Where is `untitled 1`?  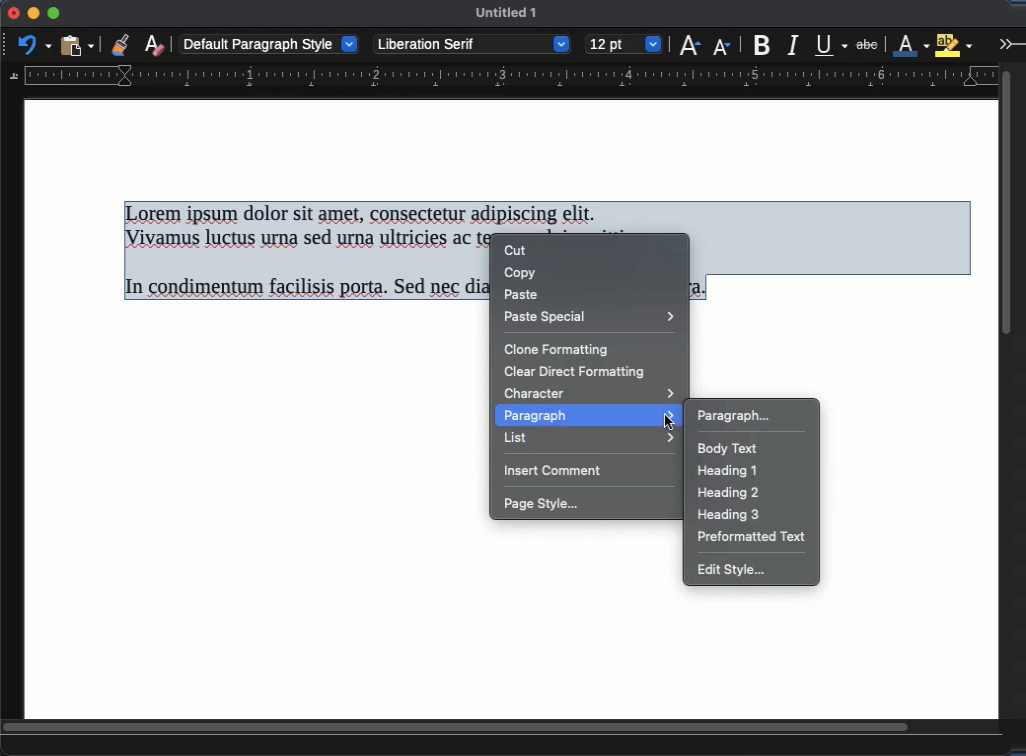 untitled 1 is located at coordinates (506, 12).